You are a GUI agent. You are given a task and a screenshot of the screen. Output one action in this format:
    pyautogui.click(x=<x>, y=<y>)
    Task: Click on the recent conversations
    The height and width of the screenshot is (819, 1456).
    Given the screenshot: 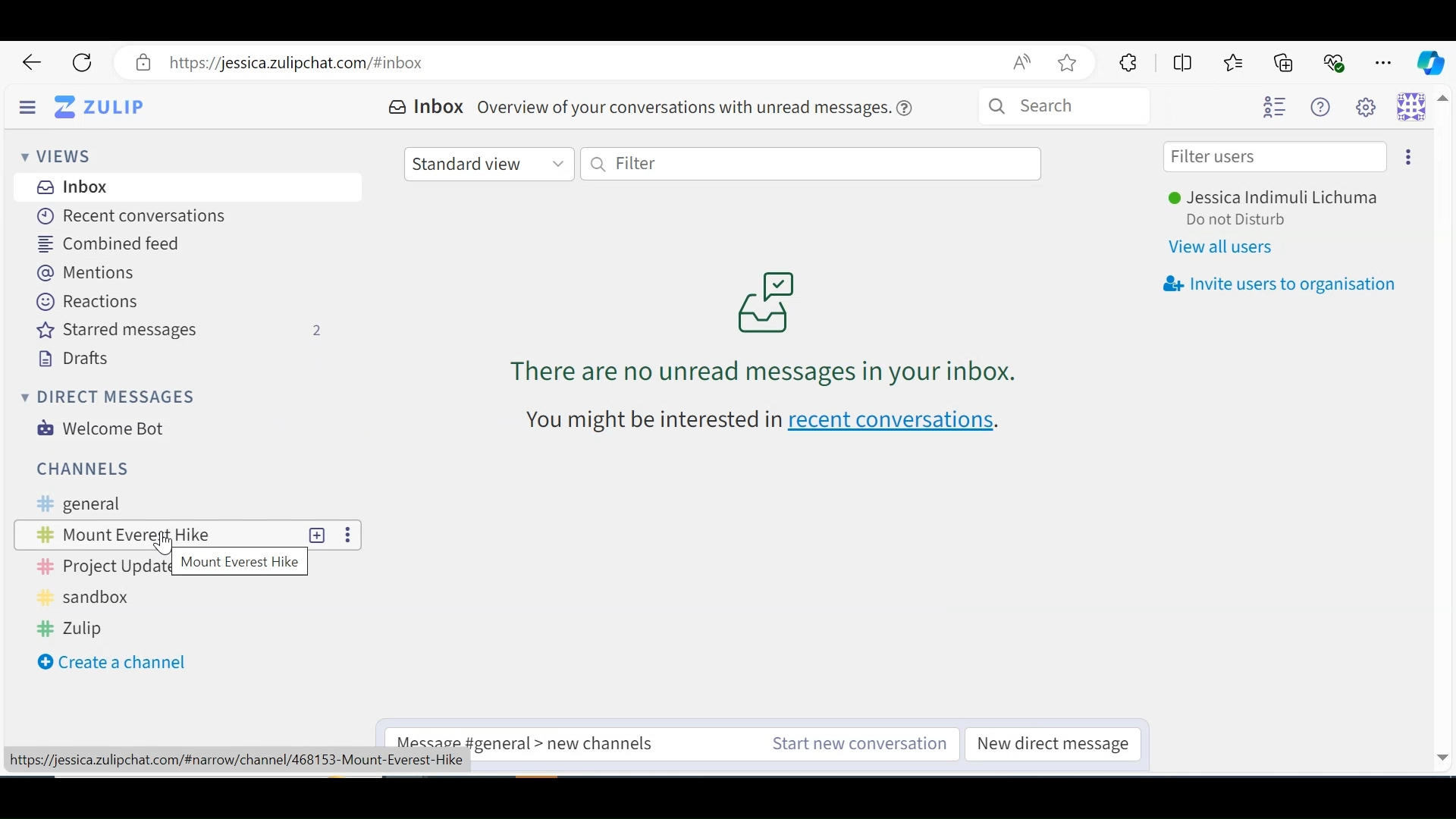 What is the action you would take?
    pyautogui.click(x=766, y=421)
    